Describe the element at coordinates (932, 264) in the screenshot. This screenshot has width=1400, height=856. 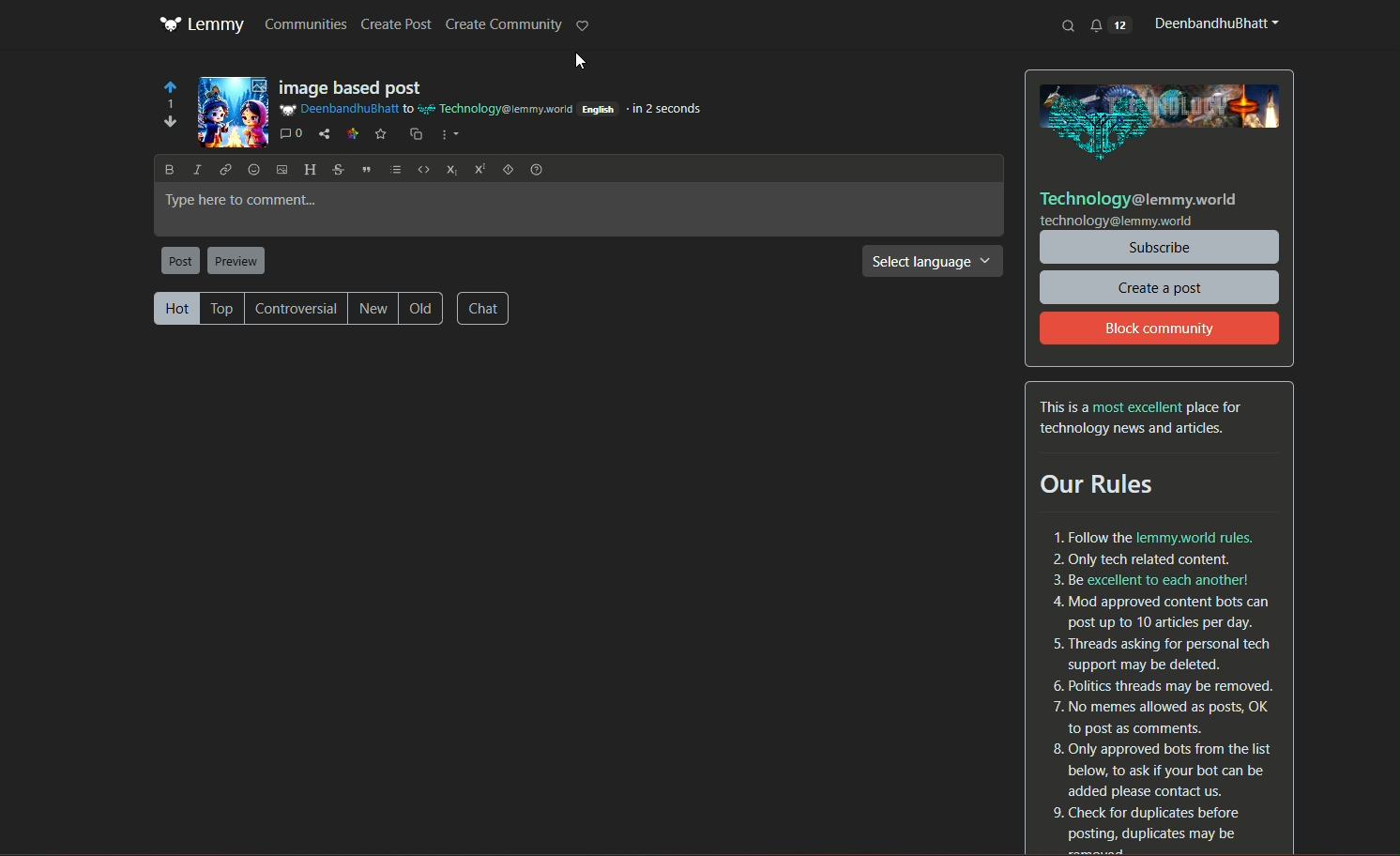
I see `select language` at that location.